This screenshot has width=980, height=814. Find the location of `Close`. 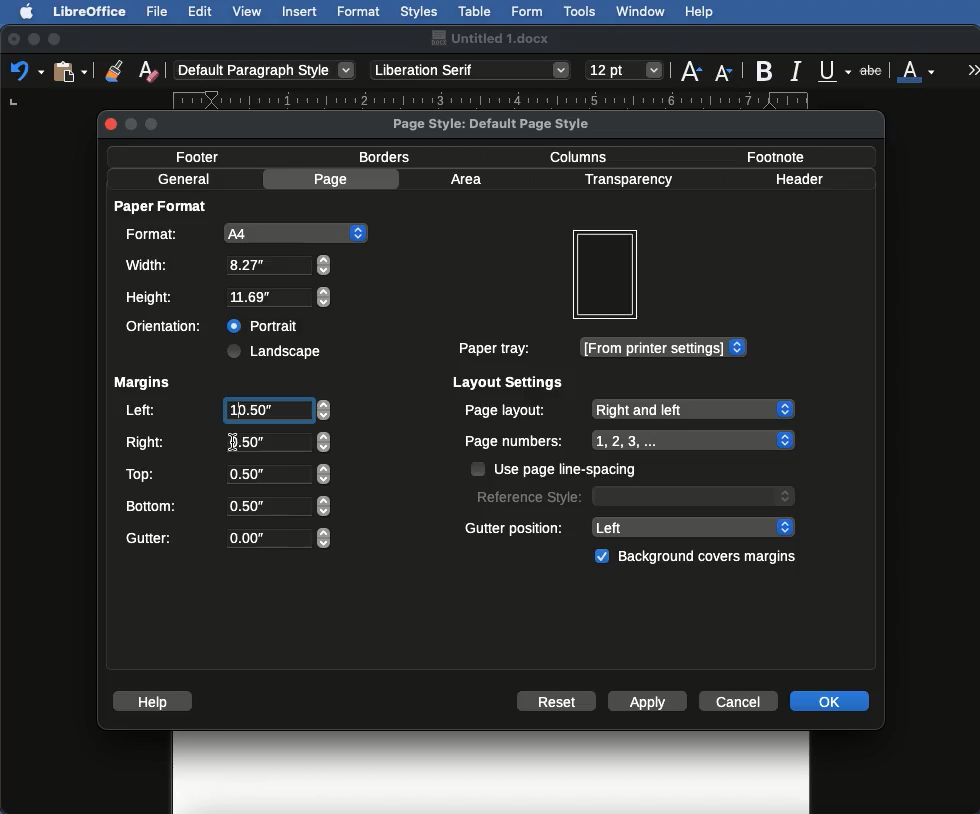

Close is located at coordinates (14, 40).